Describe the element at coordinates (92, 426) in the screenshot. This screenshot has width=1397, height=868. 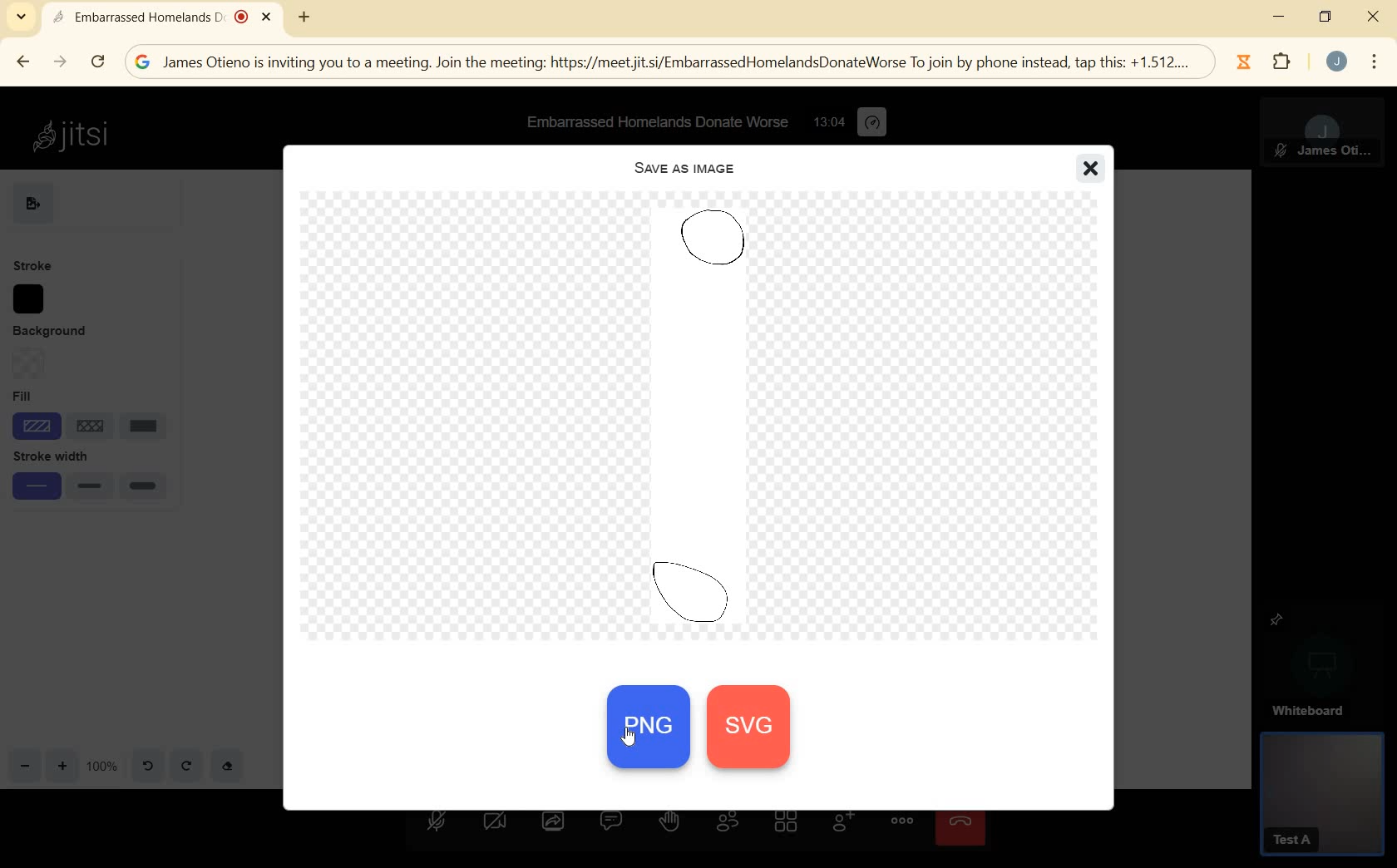
I see `line` at that location.